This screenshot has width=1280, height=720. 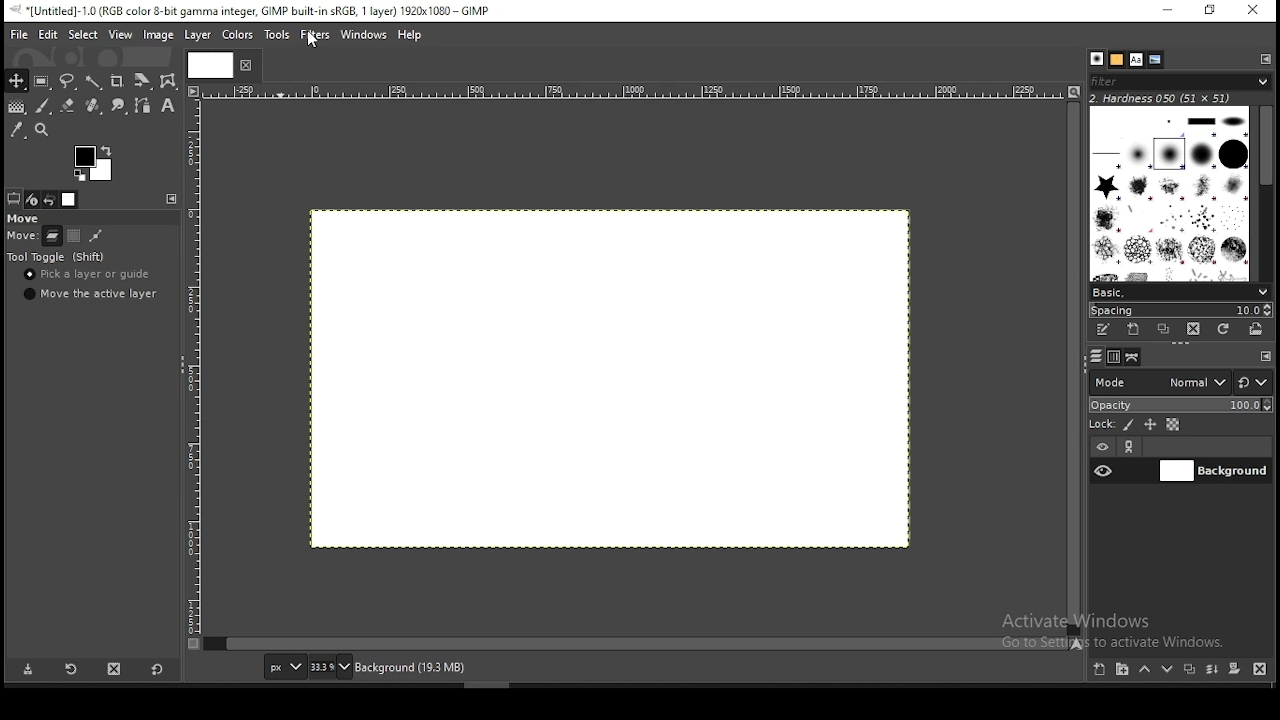 I want to click on link, so click(x=1133, y=446).